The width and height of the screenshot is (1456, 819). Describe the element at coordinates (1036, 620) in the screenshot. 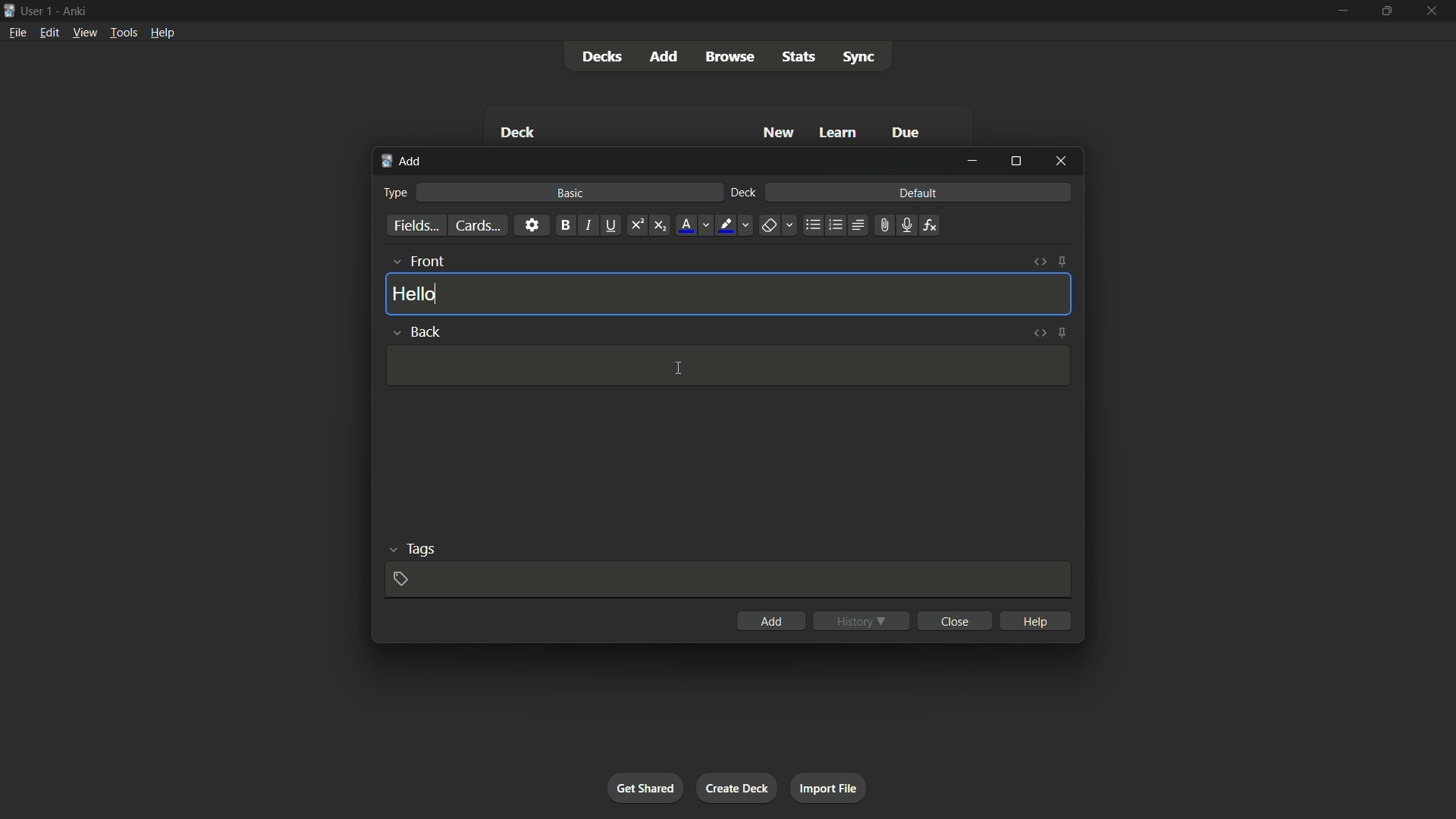

I see `help` at that location.